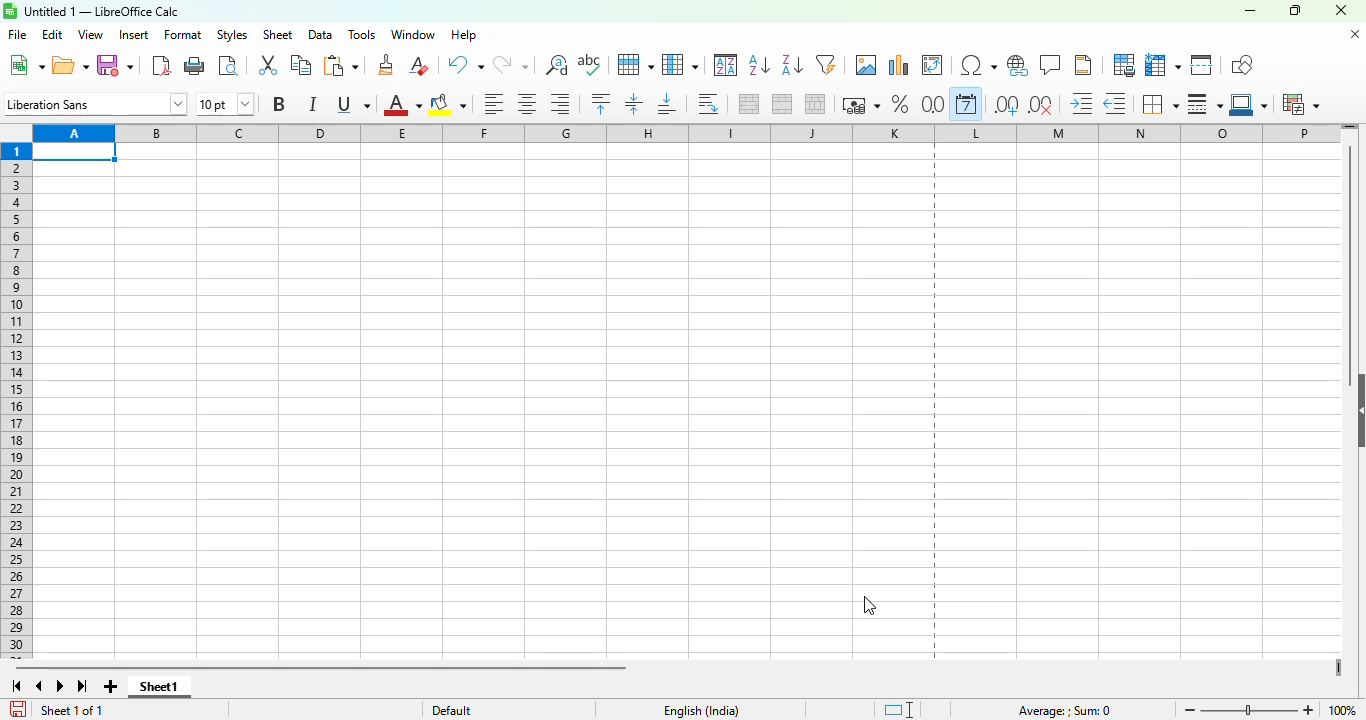  What do you see at coordinates (782, 104) in the screenshot?
I see `merge cells` at bounding box center [782, 104].